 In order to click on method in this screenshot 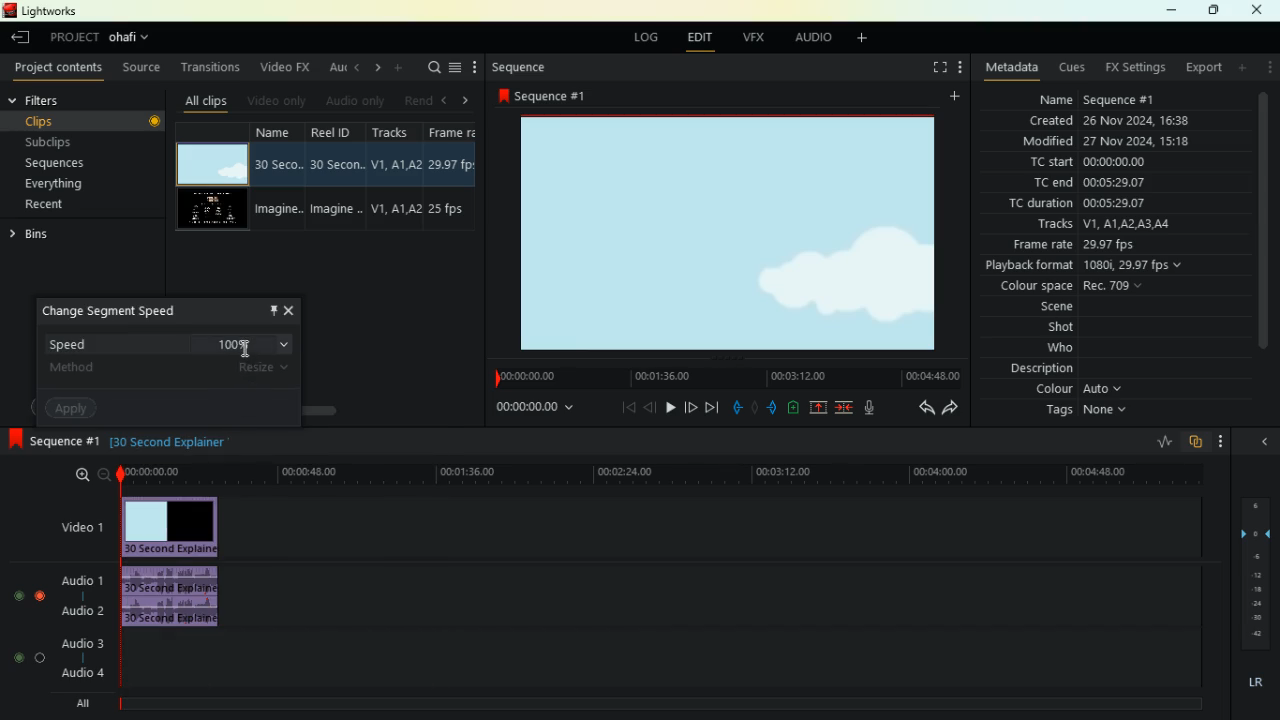, I will do `click(173, 373)`.